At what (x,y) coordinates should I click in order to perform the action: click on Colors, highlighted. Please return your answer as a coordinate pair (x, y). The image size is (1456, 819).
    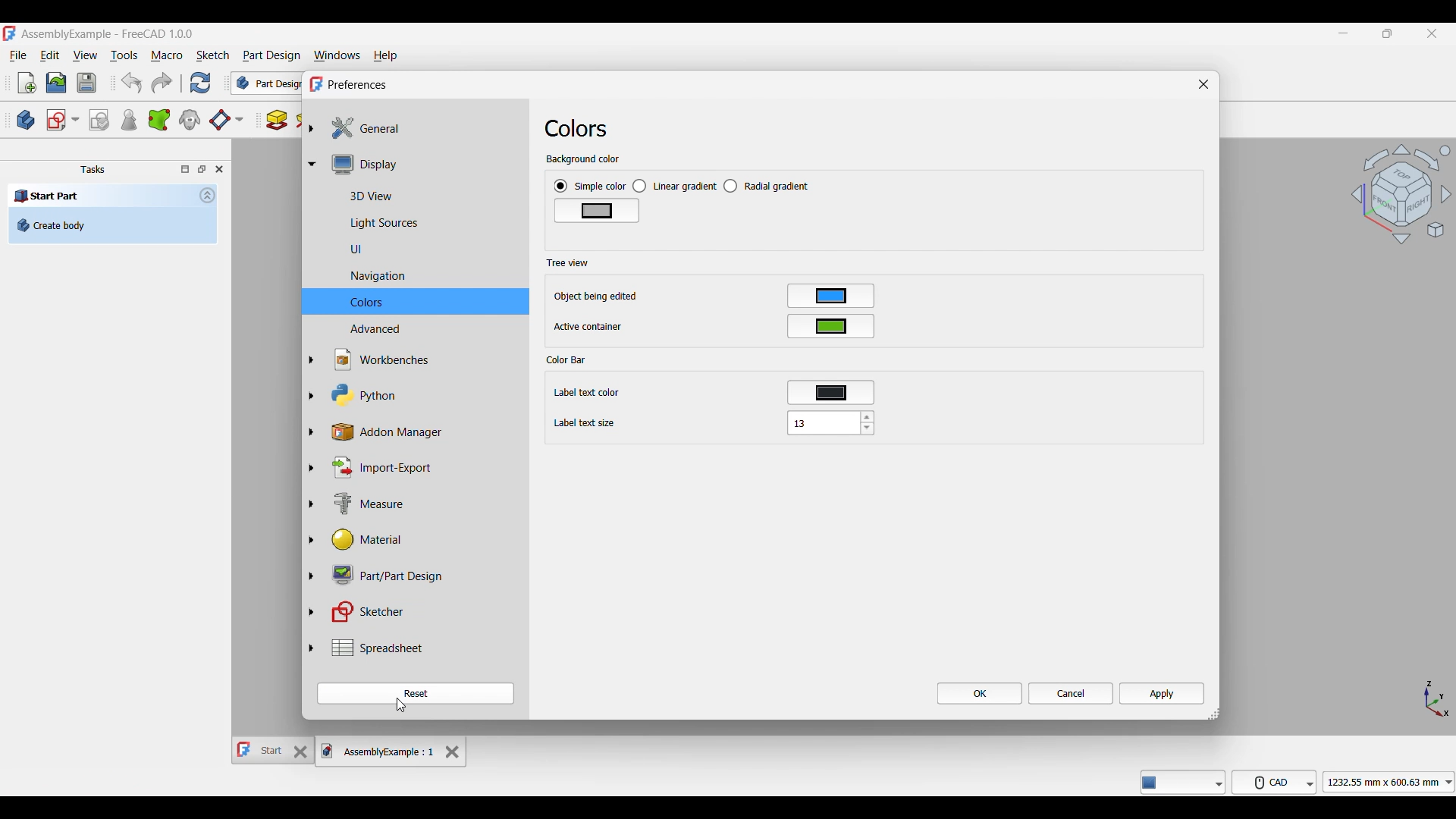
    Looking at the image, I should click on (416, 301).